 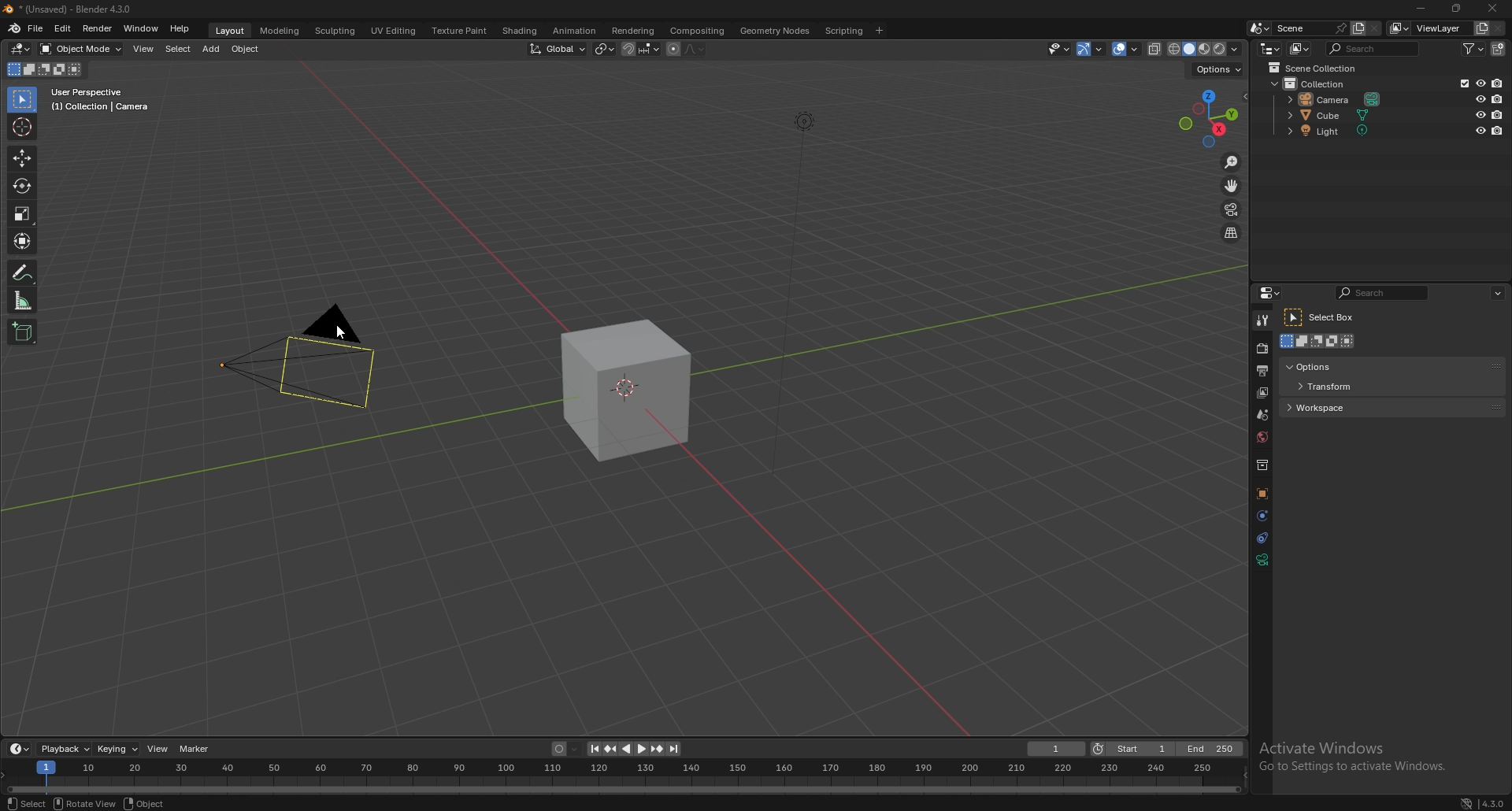 I want to click on overlays, so click(x=1127, y=50).